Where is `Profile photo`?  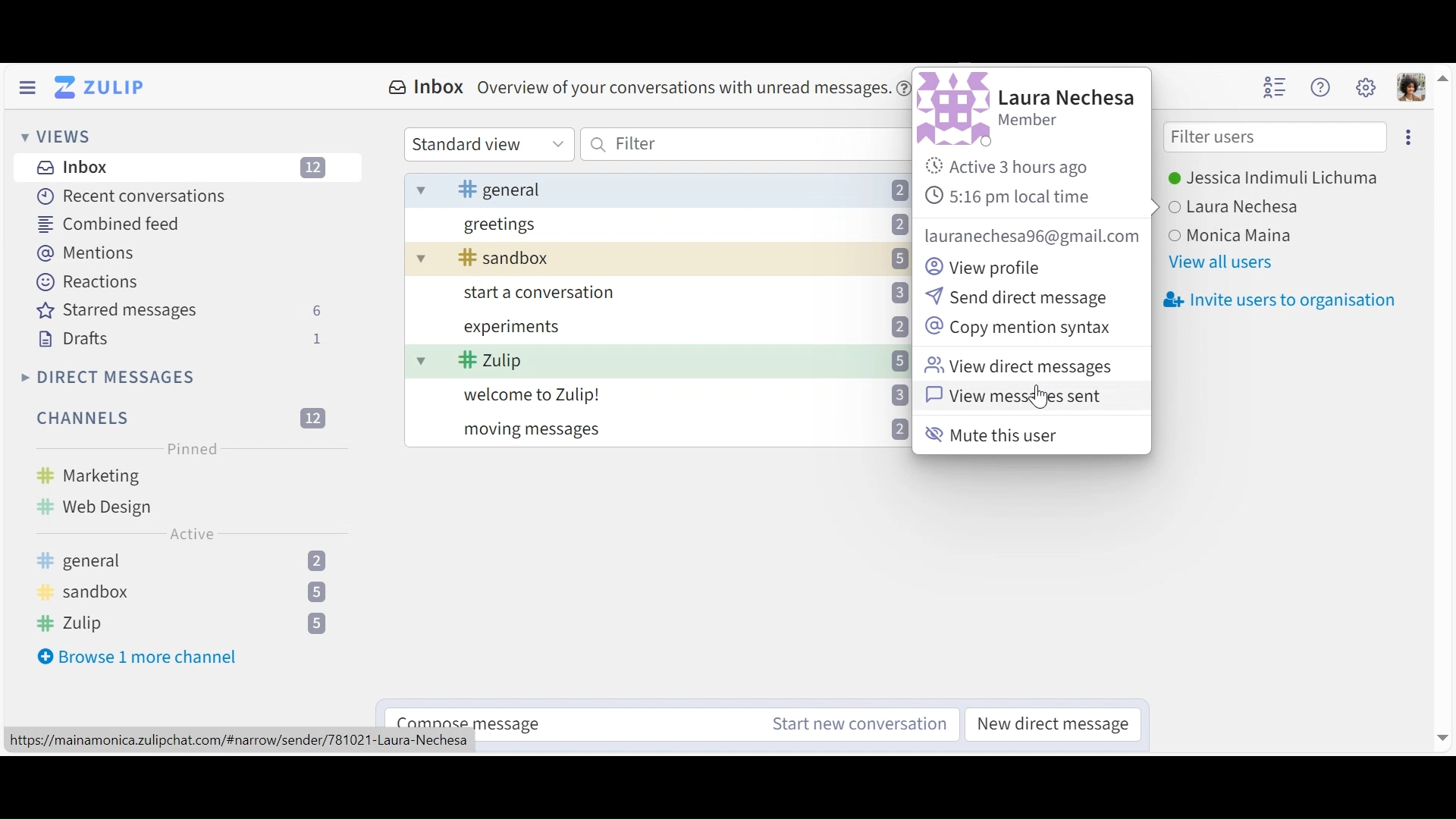 Profile photo is located at coordinates (955, 108).